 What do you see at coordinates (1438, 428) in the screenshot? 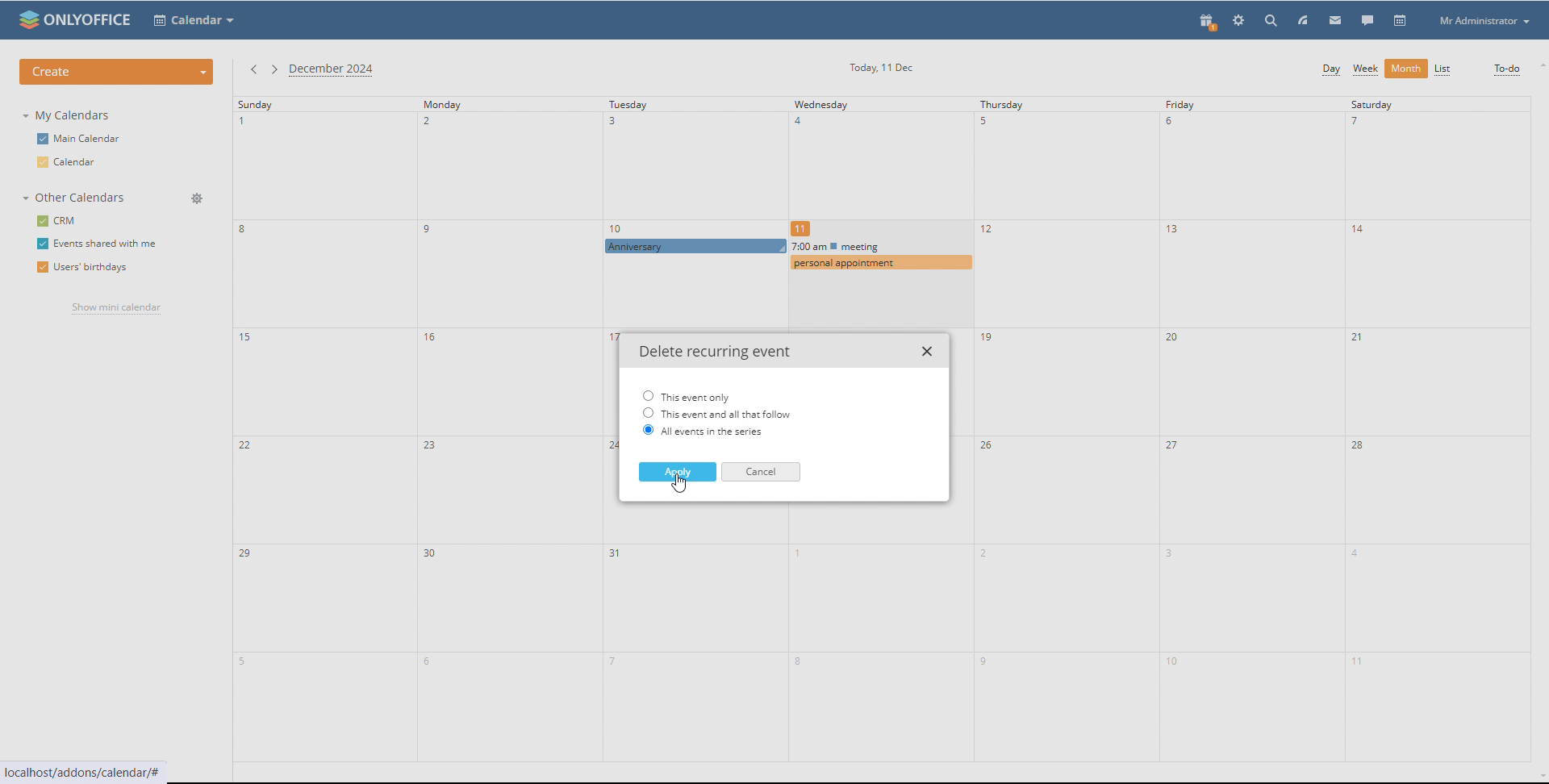
I see `saturday` at bounding box center [1438, 428].